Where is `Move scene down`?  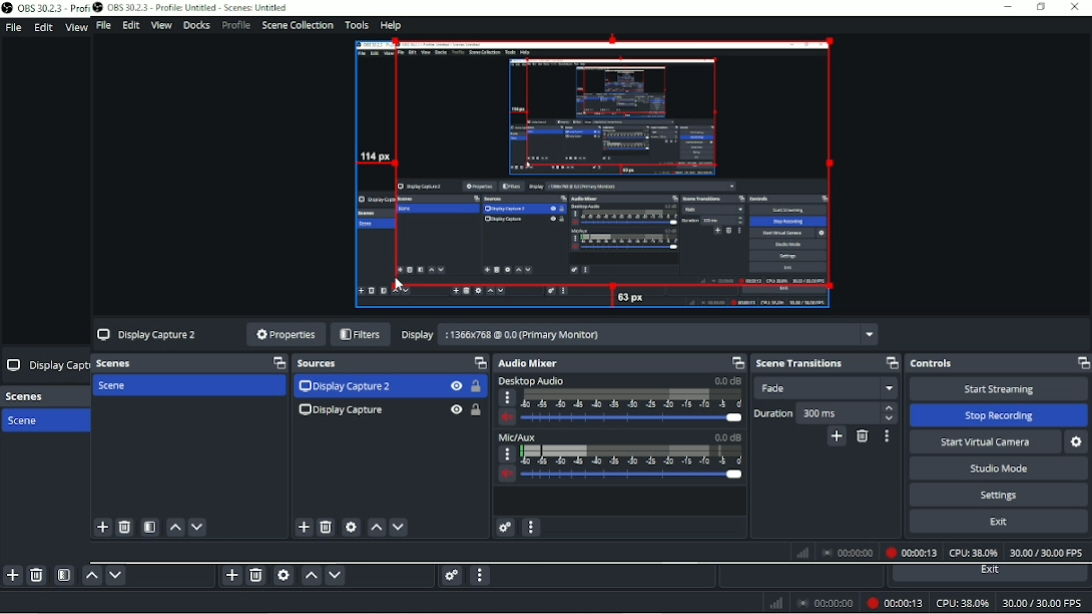 Move scene down is located at coordinates (115, 575).